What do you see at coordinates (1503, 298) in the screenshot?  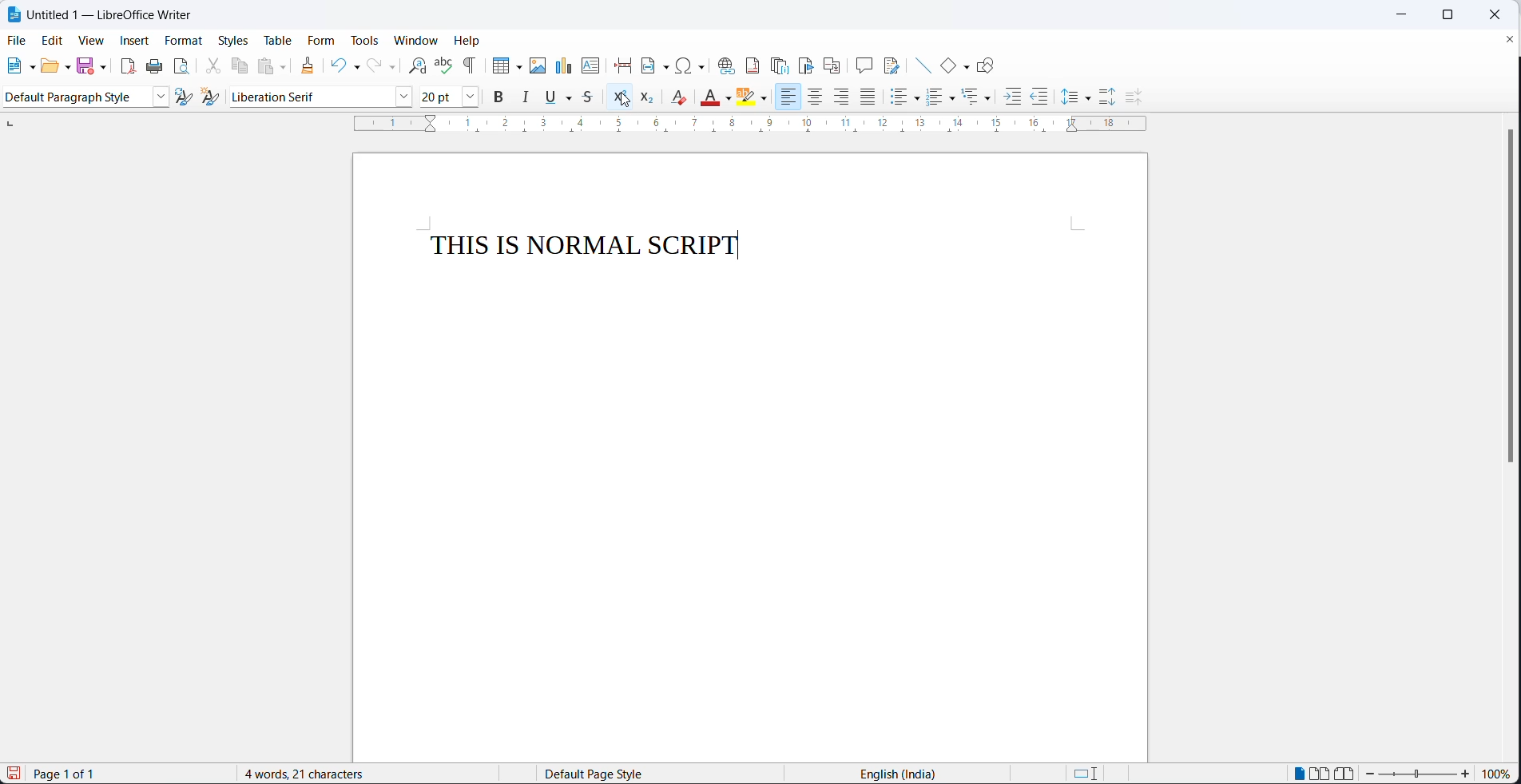 I see `scroll bar` at bounding box center [1503, 298].